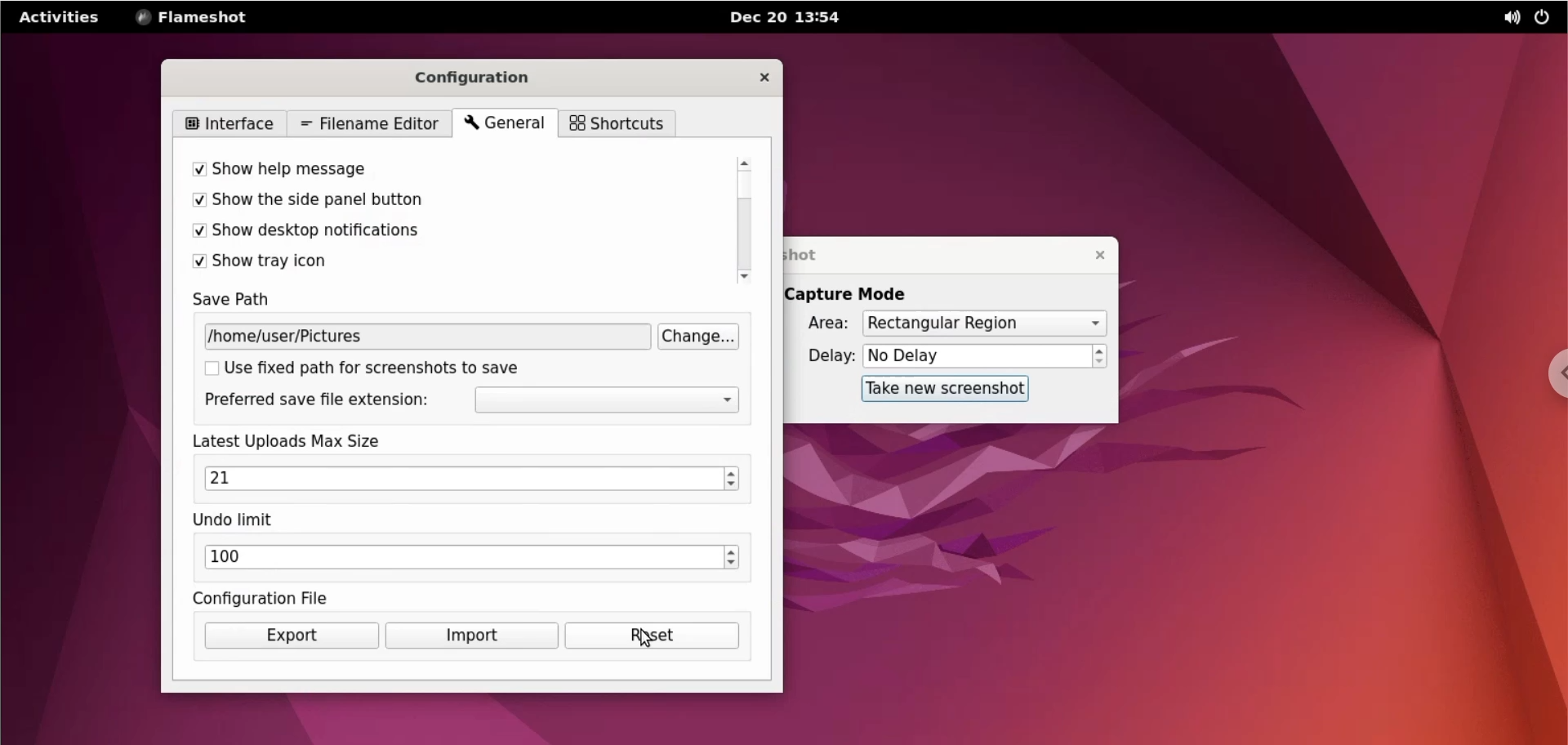 Image resolution: width=1568 pixels, height=745 pixels. Describe the element at coordinates (287, 598) in the screenshot. I see `configuration file ` at that location.